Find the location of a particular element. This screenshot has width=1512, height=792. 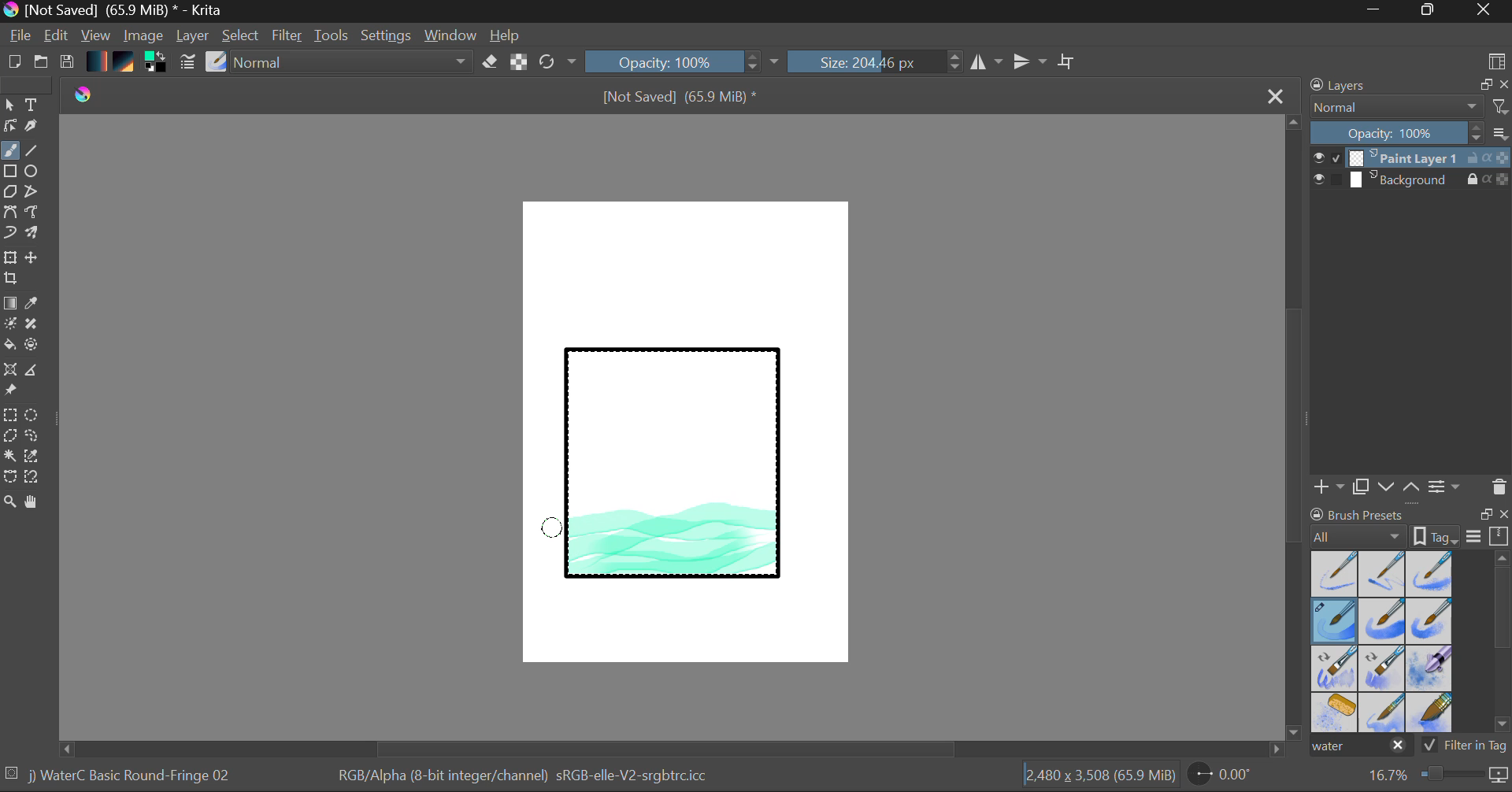

Pan is located at coordinates (37, 505).